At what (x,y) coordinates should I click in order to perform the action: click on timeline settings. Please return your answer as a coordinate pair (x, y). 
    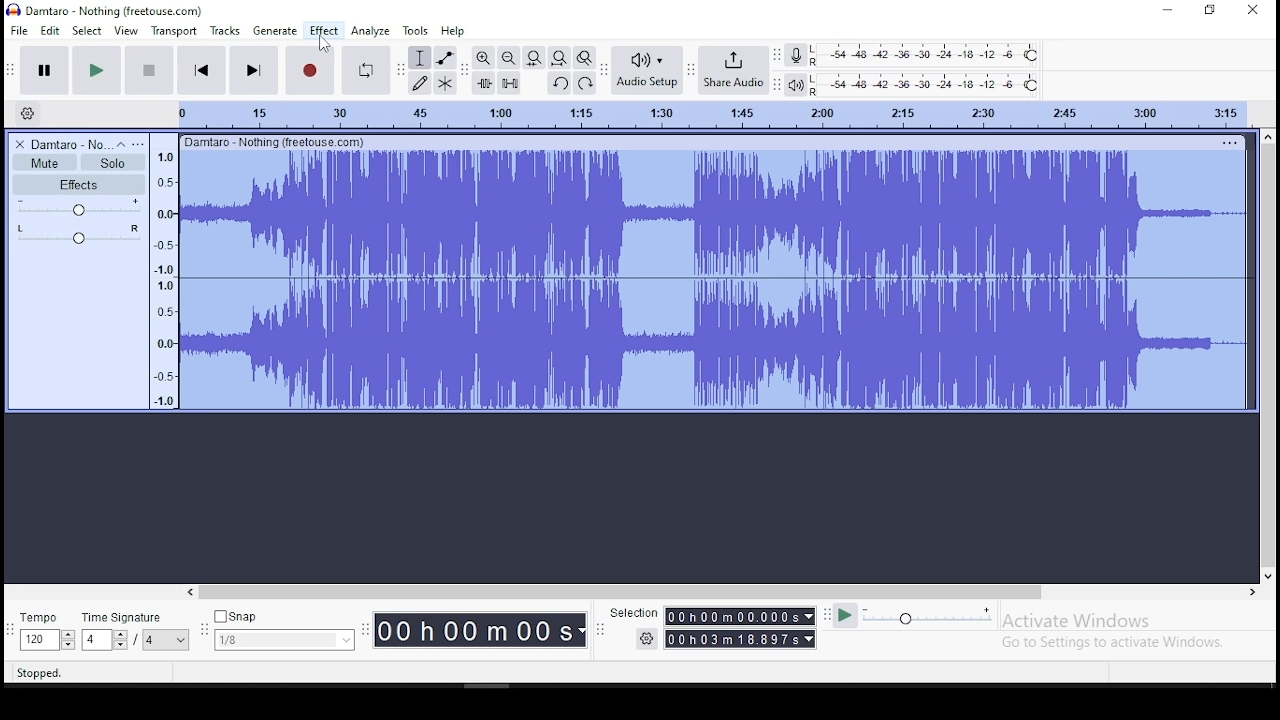
    Looking at the image, I should click on (28, 113).